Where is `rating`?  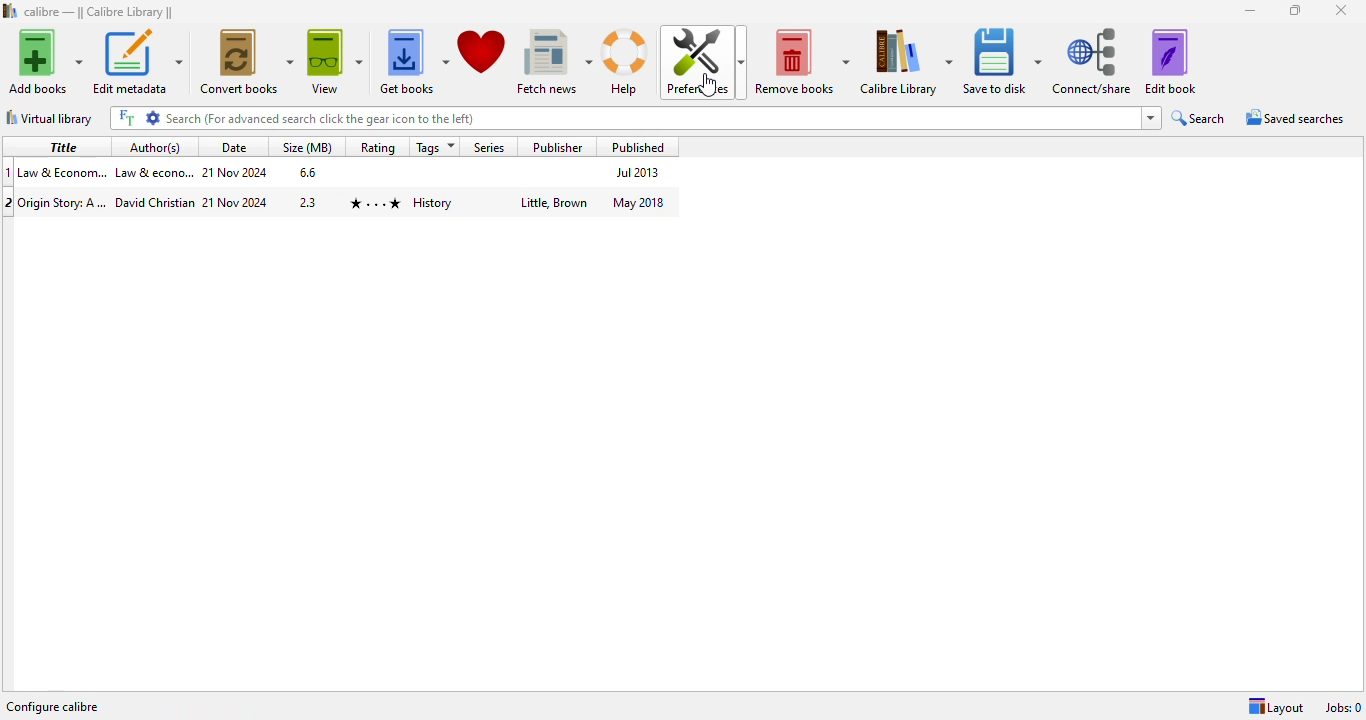
rating is located at coordinates (377, 147).